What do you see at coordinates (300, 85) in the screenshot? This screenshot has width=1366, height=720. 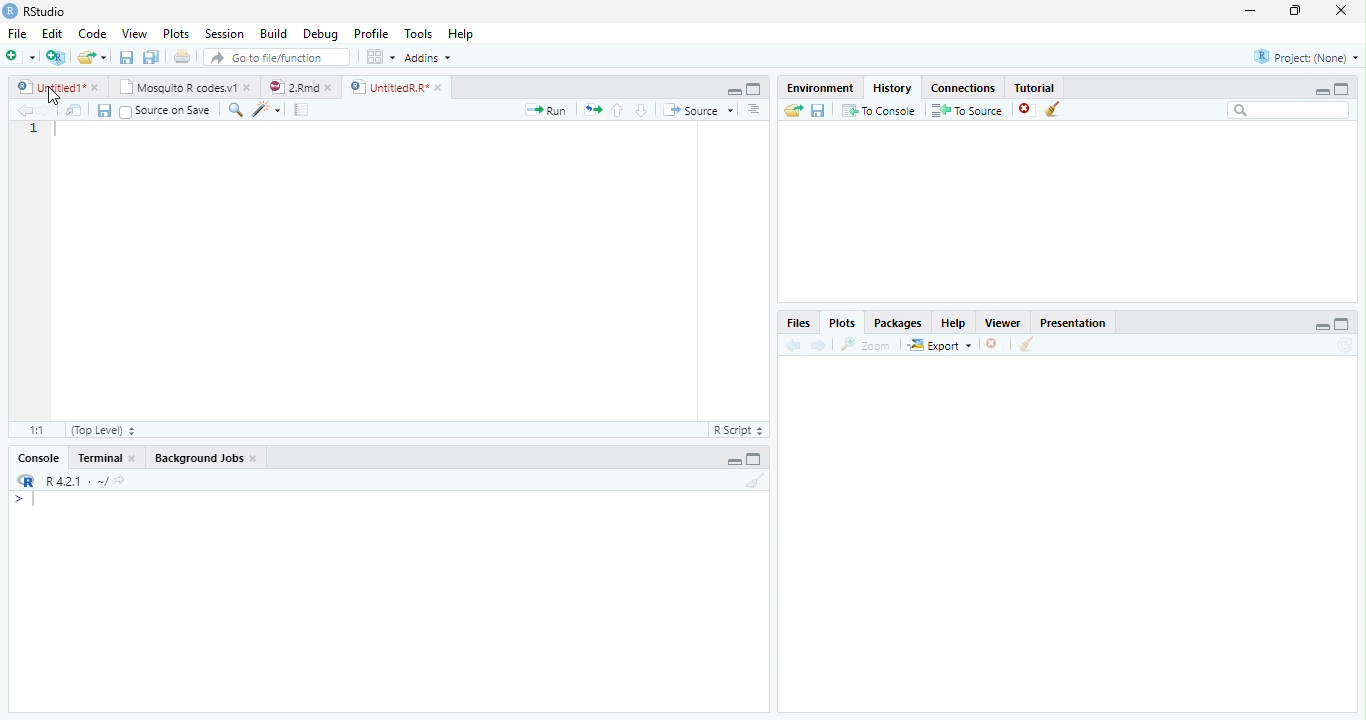 I see `2 Rmd` at bounding box center [300, 85].